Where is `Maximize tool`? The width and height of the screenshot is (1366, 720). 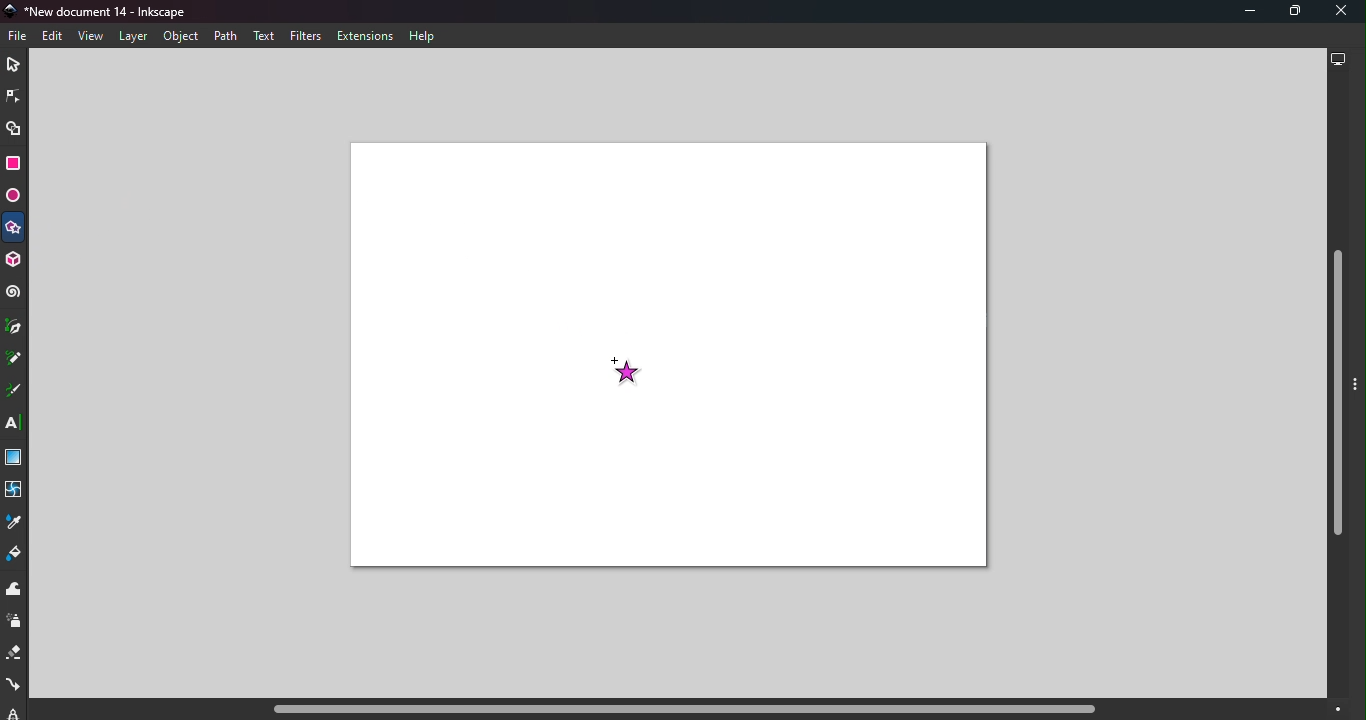
Maximize tool is located at coordinates (1290, 11).